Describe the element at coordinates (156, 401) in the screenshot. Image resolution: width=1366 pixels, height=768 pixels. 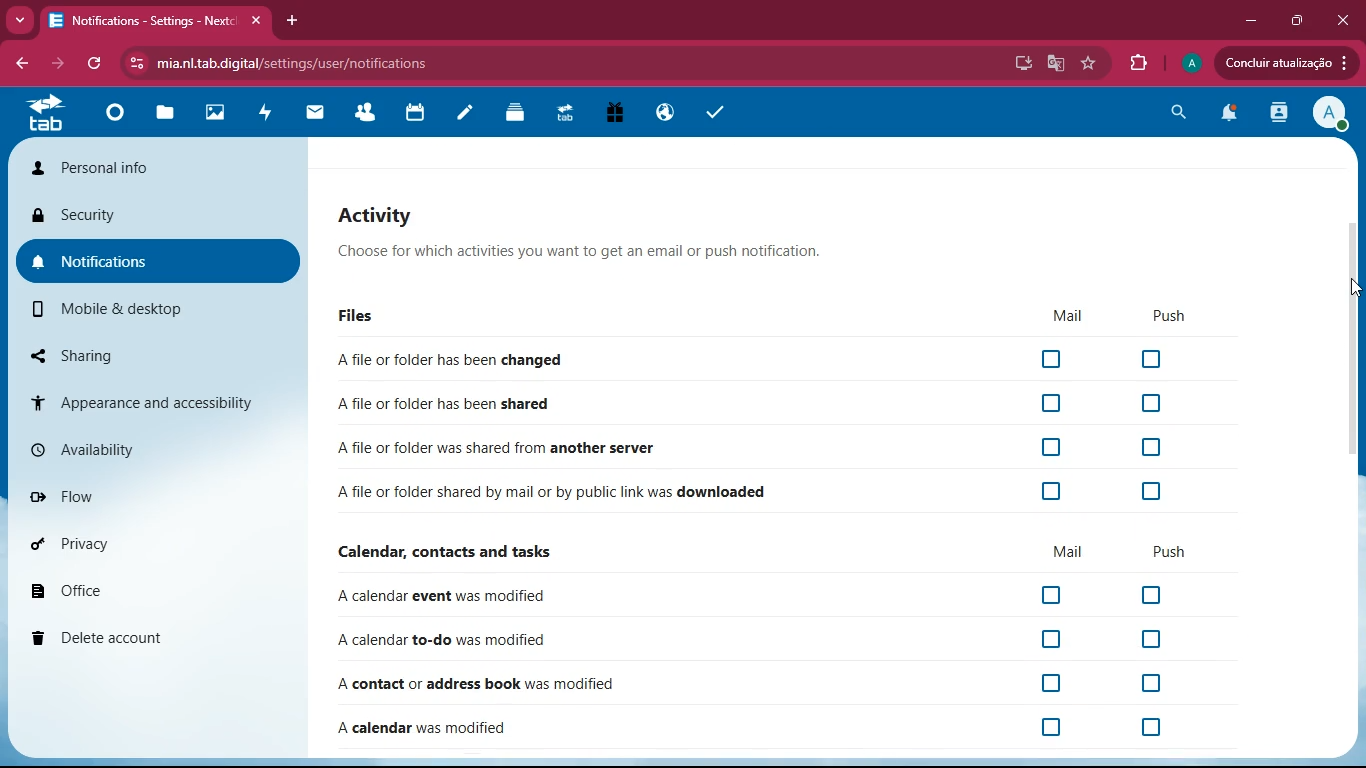
I see `appearance and accessibility` at that location.